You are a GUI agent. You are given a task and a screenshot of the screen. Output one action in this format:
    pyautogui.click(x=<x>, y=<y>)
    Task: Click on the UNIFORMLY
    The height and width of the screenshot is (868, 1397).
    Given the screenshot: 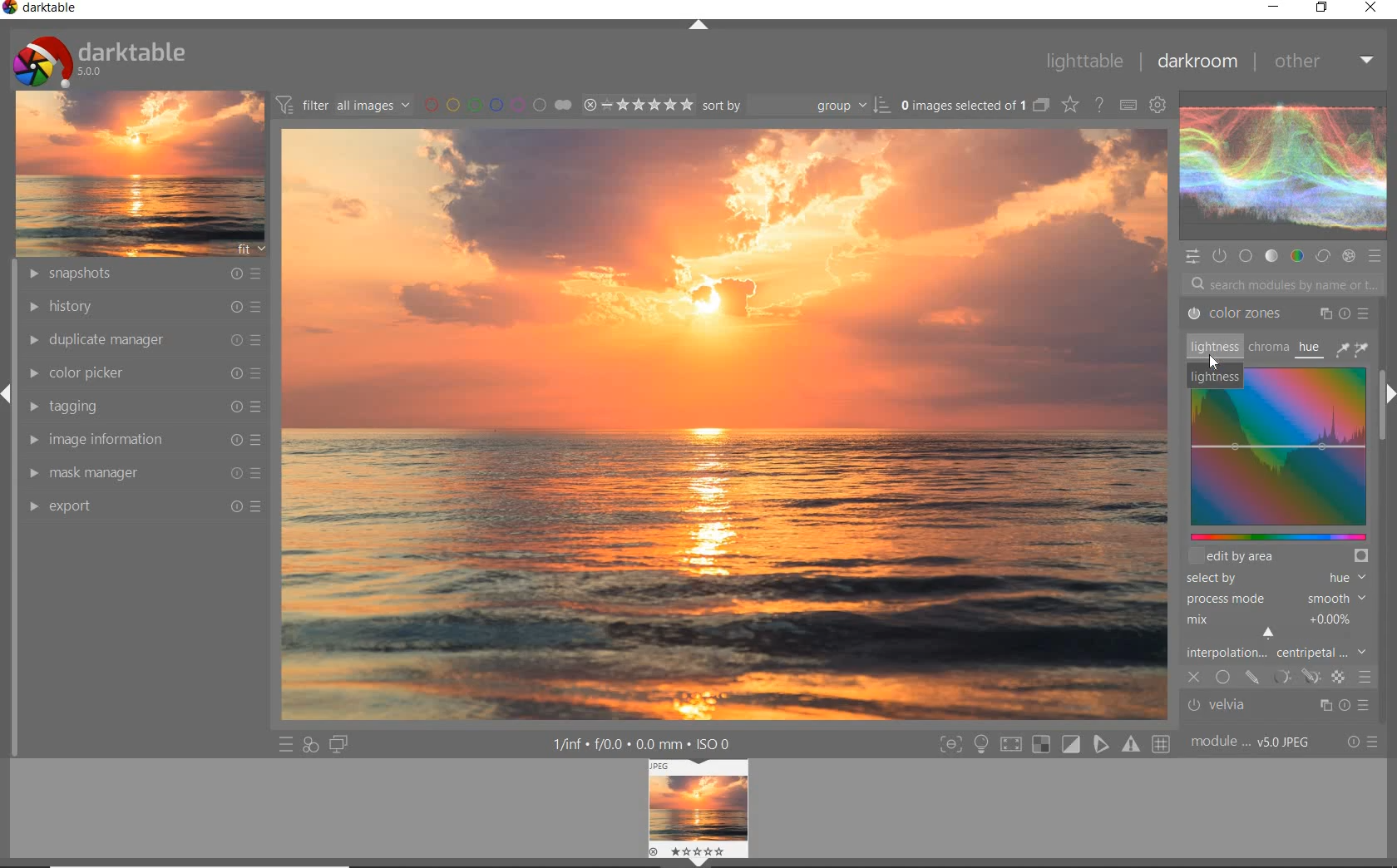 What is the action you would take?
    pyautogui.click(x=1222, y=678)
    